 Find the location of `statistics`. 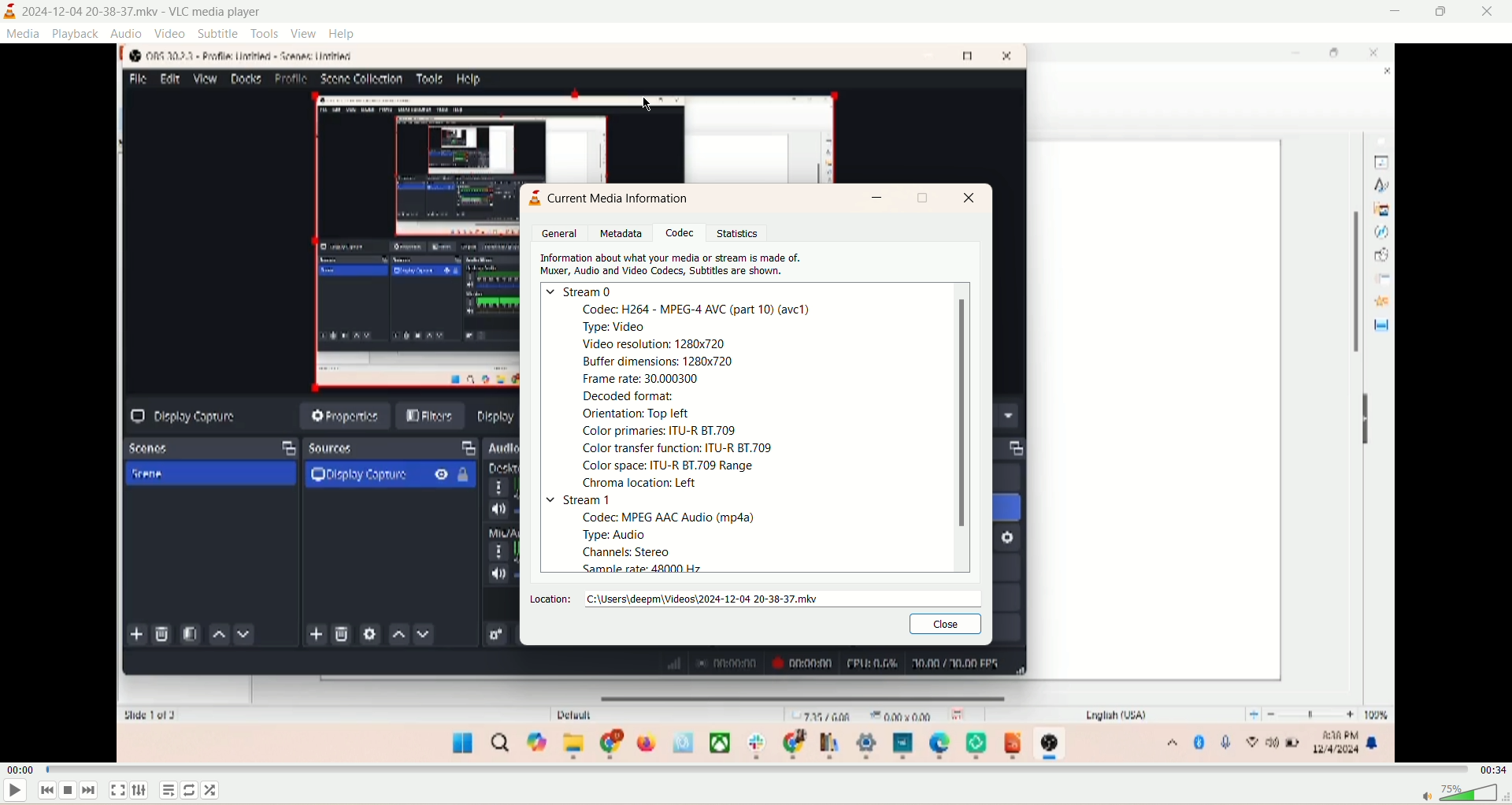

statistics is located at coordinates (743, 233).